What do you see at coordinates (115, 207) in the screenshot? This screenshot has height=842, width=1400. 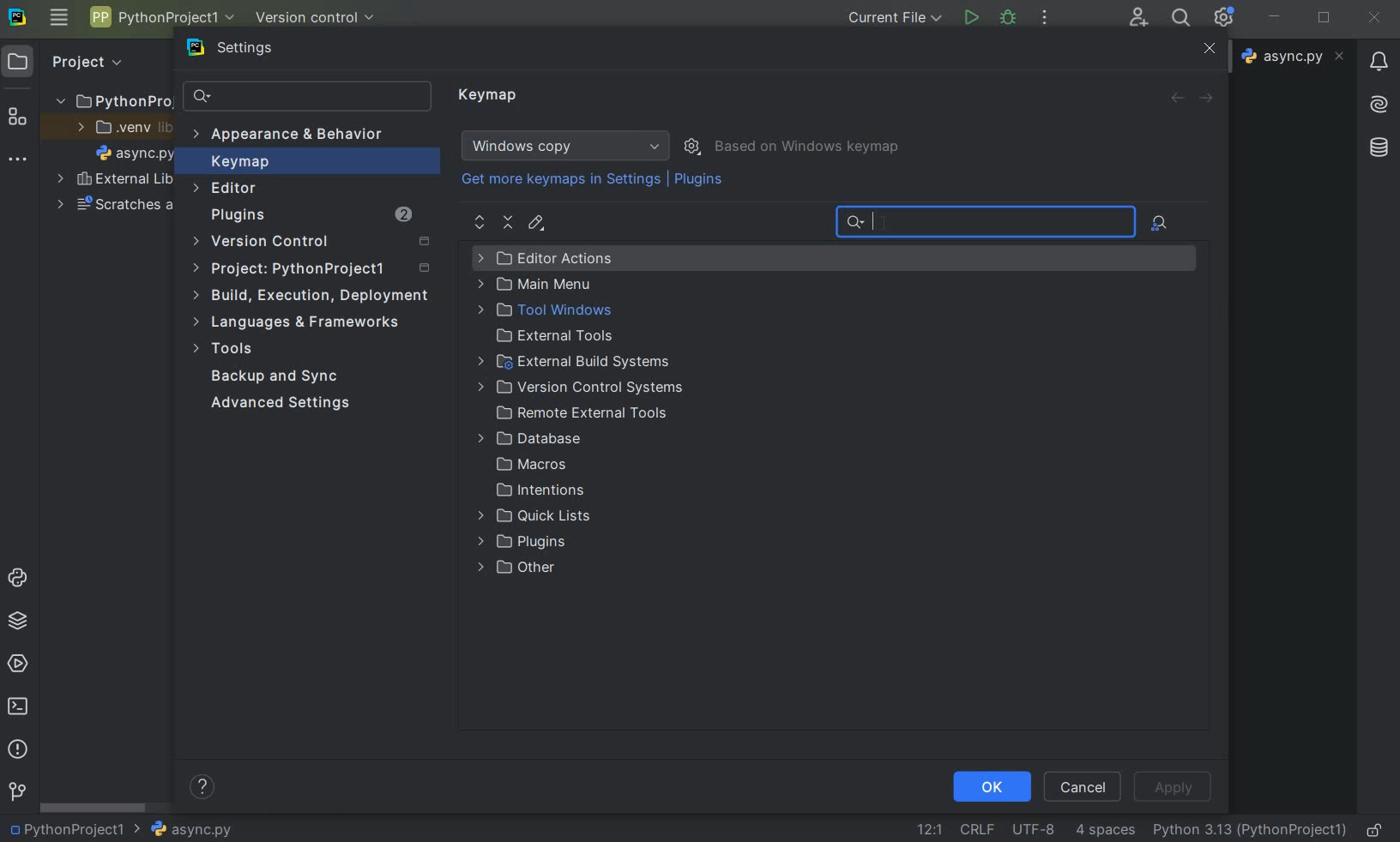 I see `scratches and consoles` at bounding box center [115, 207].